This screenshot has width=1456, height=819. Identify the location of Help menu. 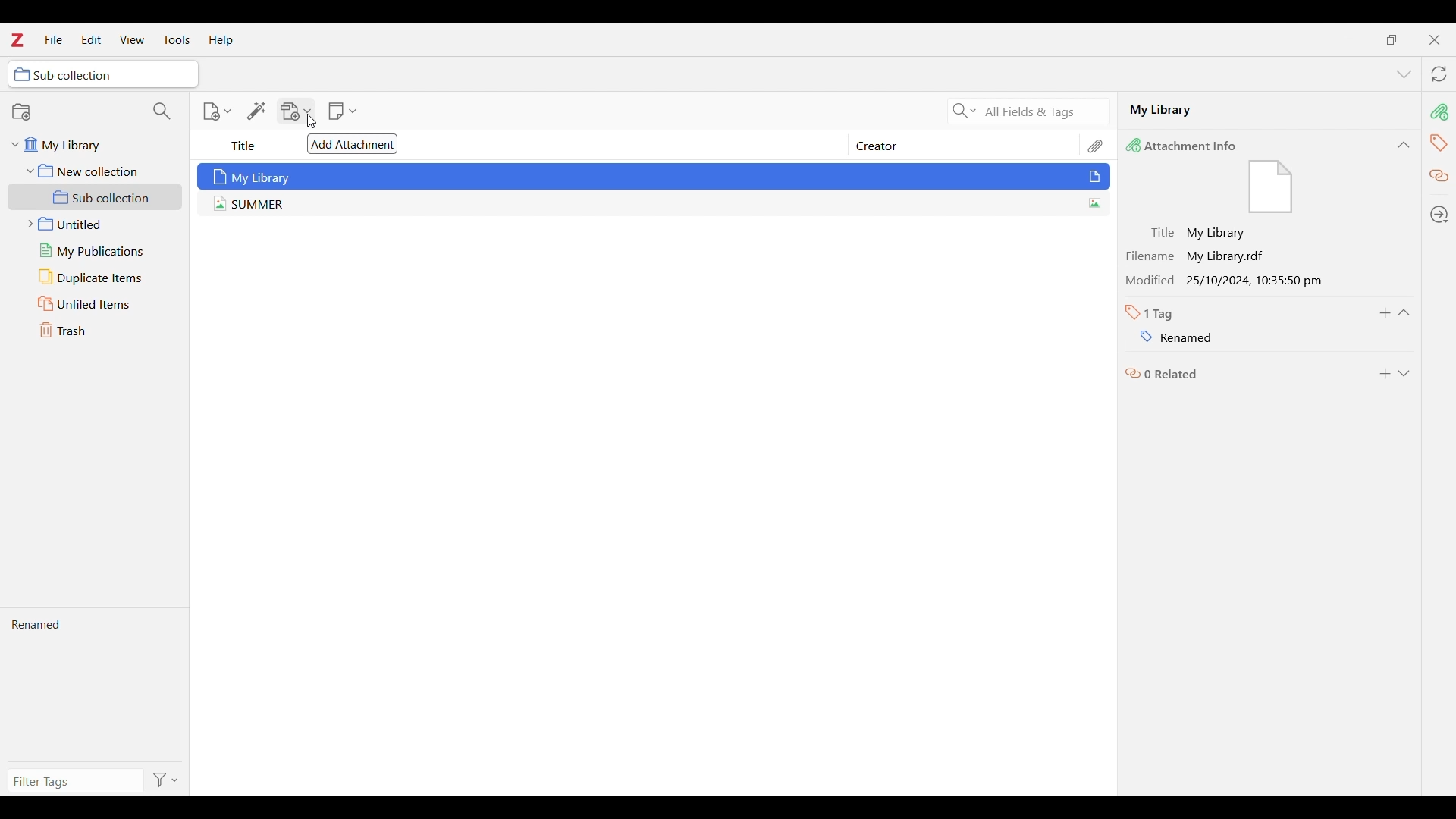
(221, 40).